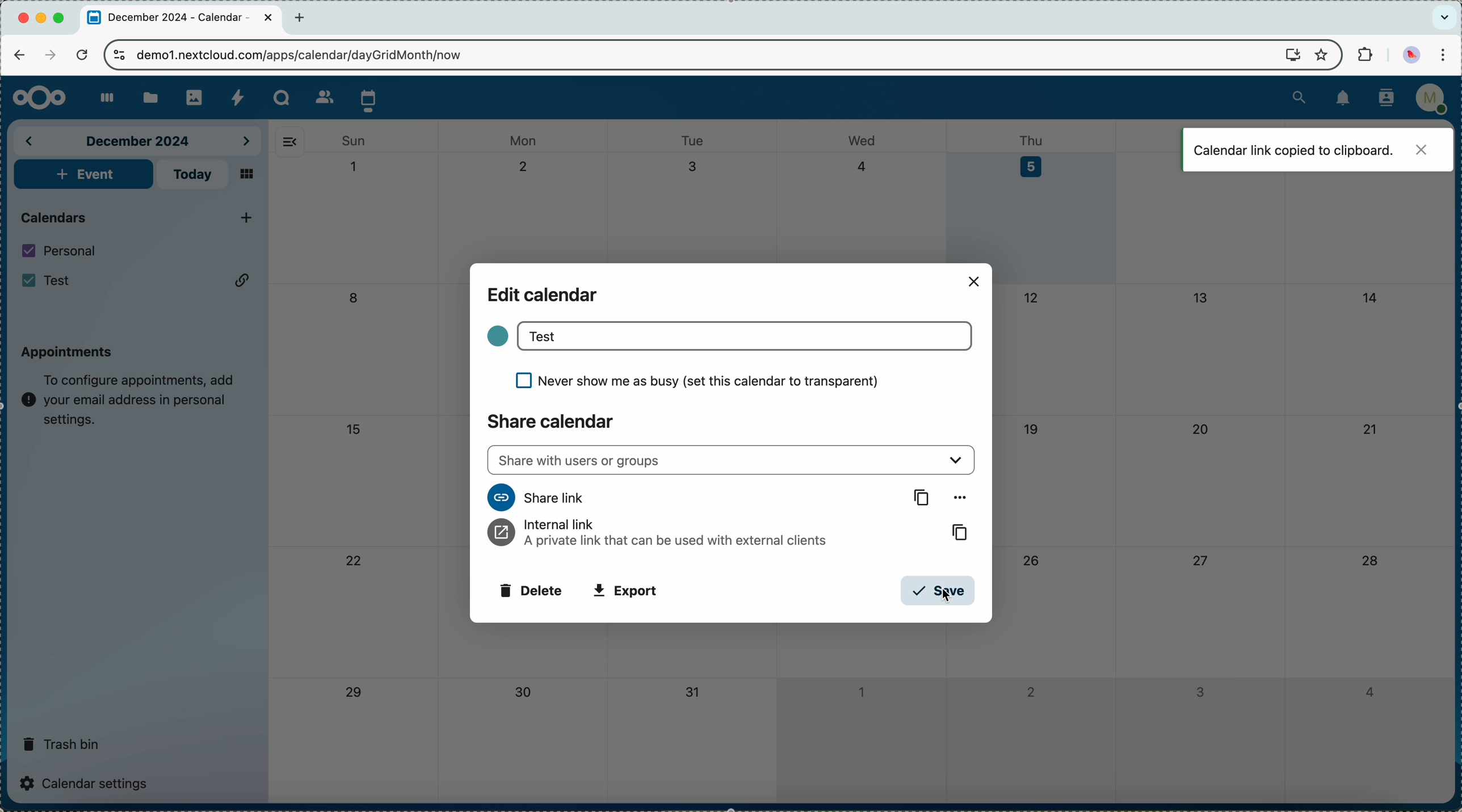 The image size is (1462, 812). I want to click on controls, so click(120, 56).